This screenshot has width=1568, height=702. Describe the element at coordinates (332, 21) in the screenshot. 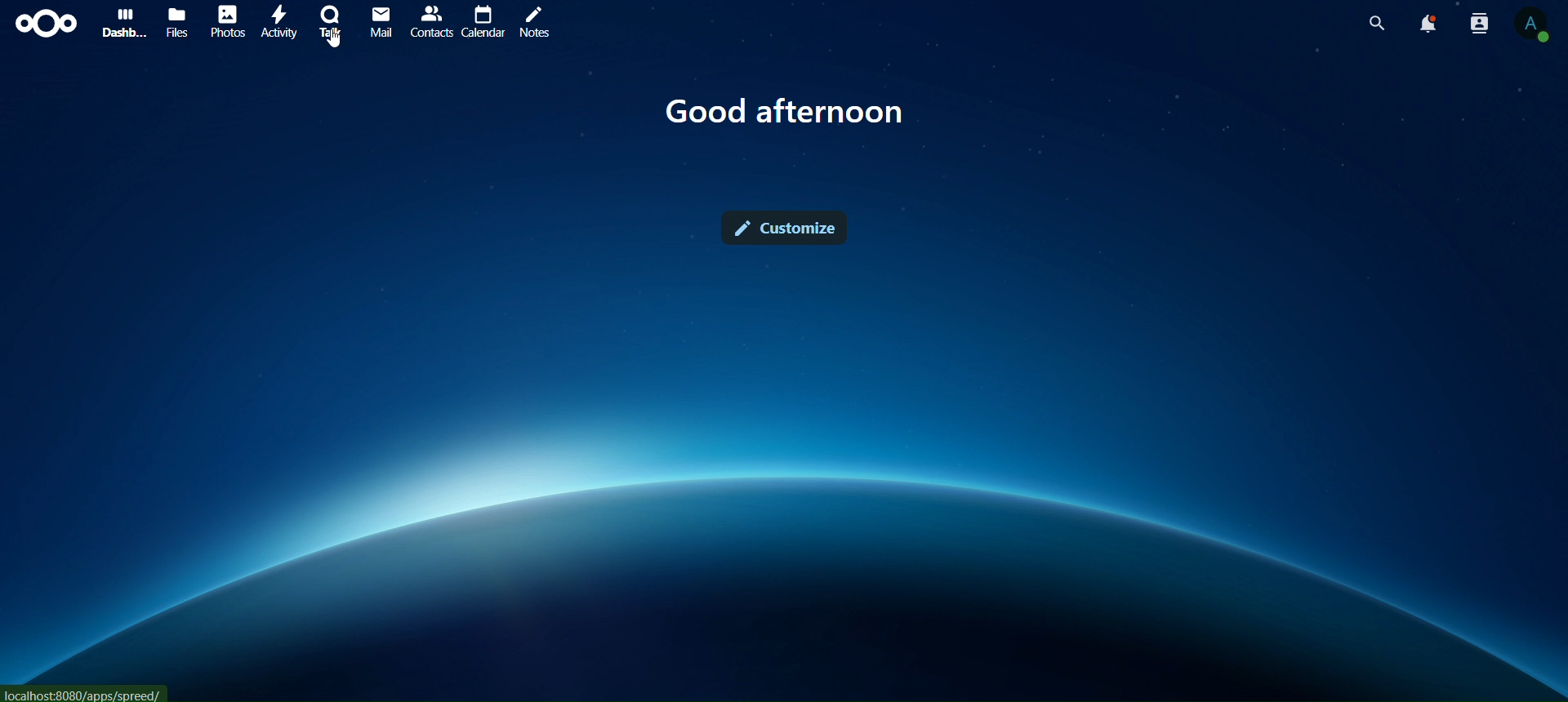

I see `talk` at that location.